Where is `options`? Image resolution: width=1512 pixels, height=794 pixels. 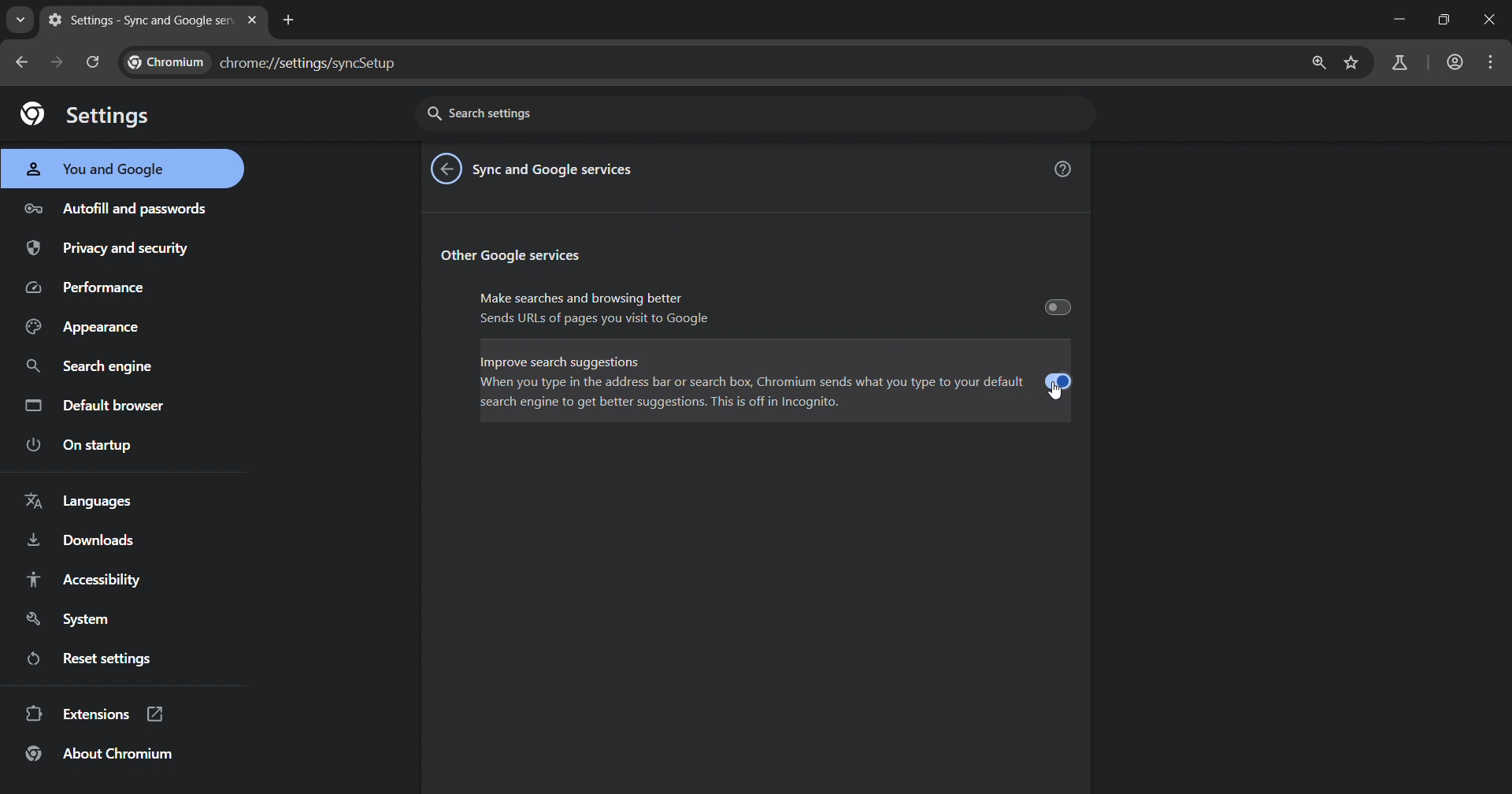 options is located at coordinates (1489, 61).